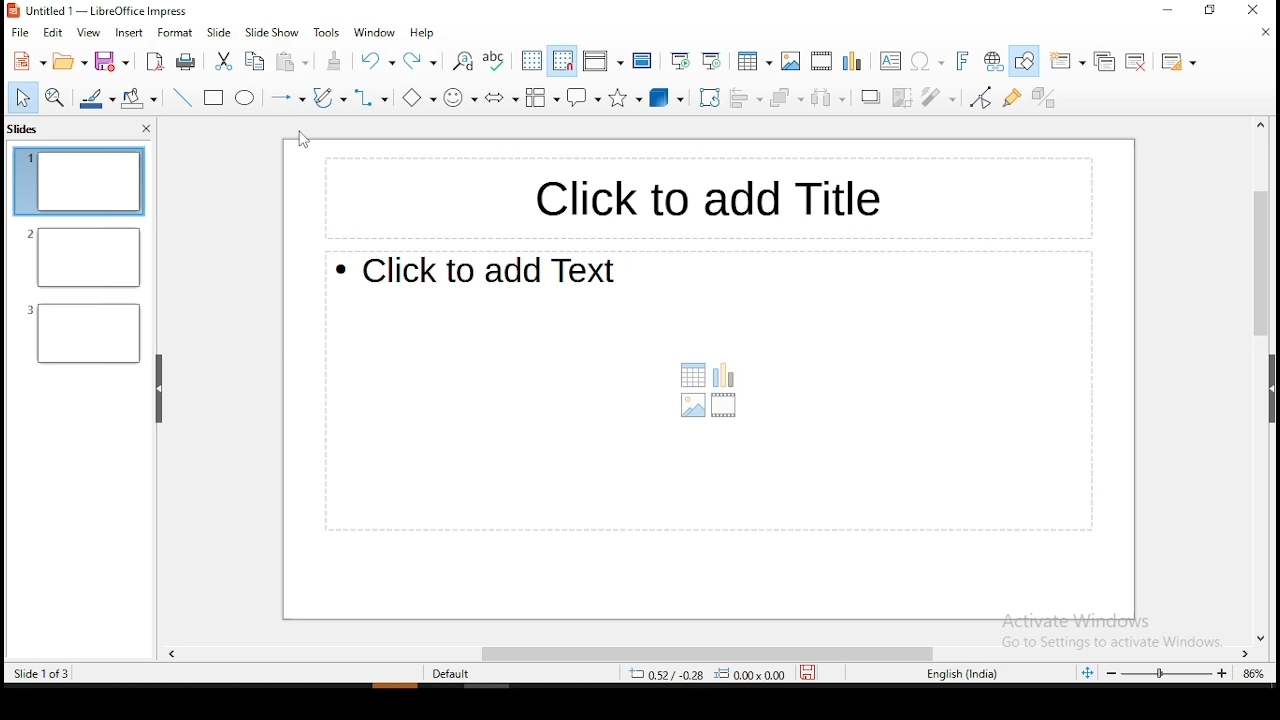  I want to click on close pane, so click(146, 129).